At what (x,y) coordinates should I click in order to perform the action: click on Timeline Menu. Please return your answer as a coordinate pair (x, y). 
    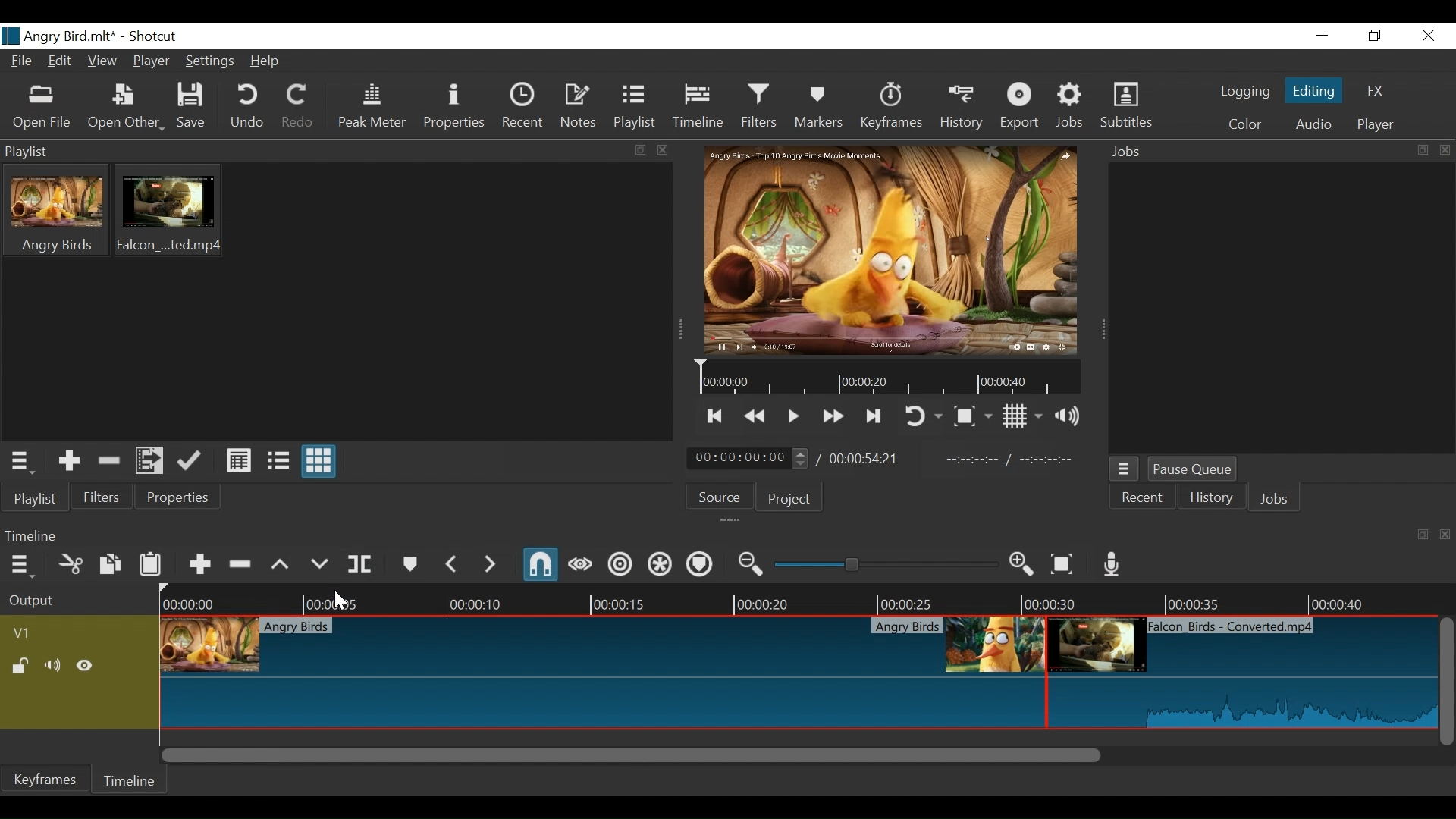
    Looking at the image, I should click on (22, 565).